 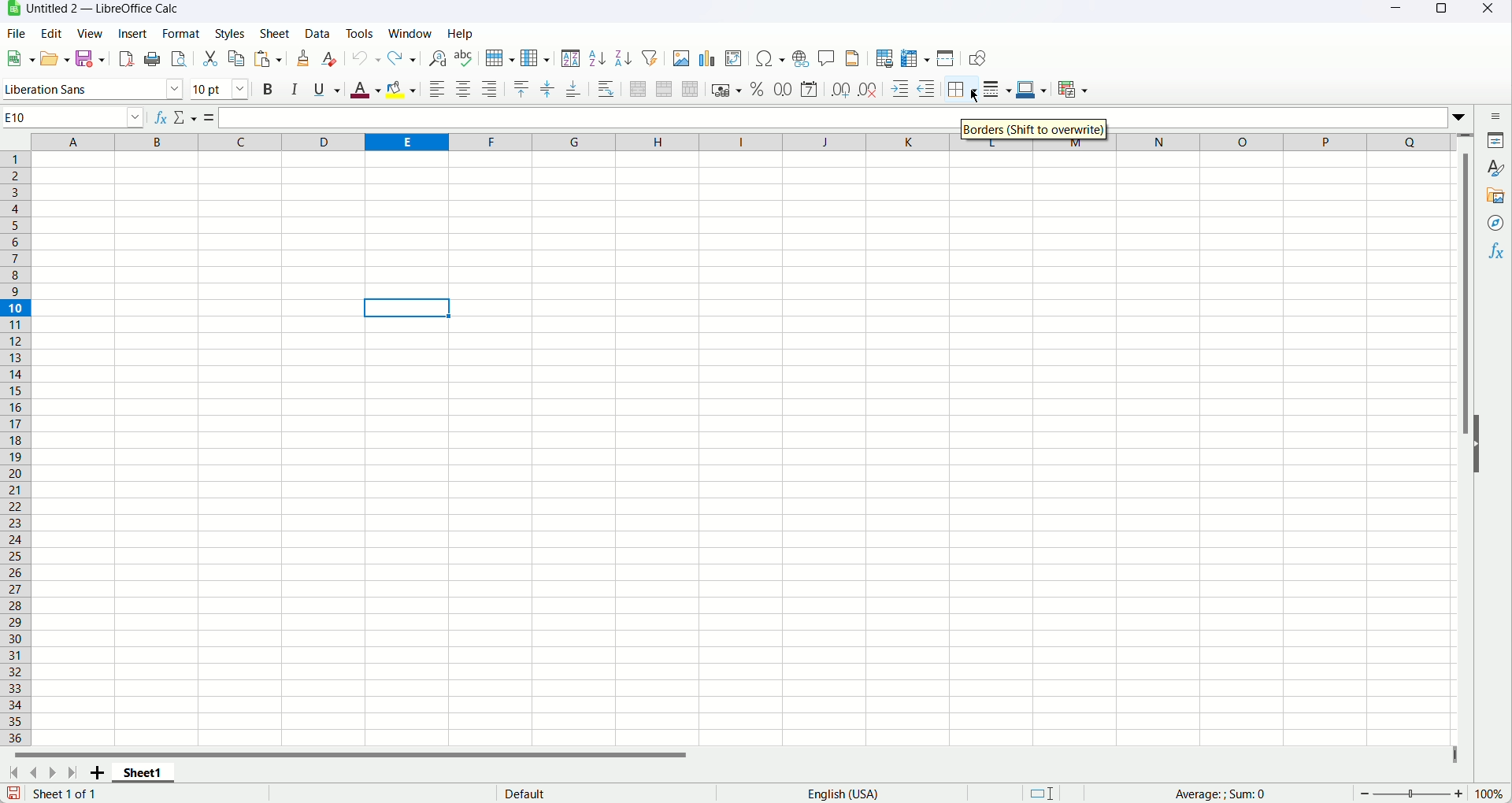 What do you see at coordinates (366, 58) in the screenshot?
I see `Undo` at bounding box center [366, 58].